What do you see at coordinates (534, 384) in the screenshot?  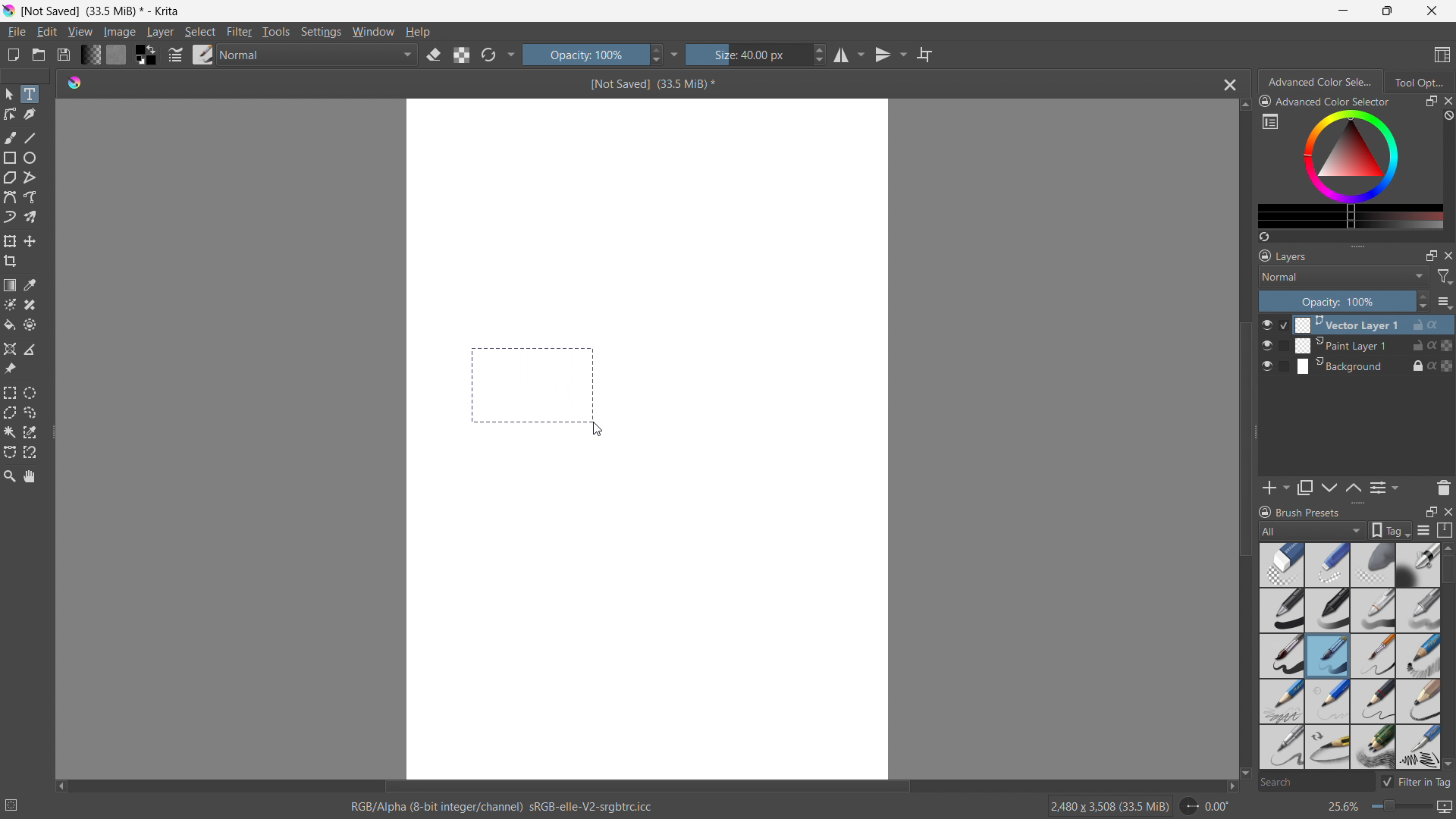 I see `making a selection to input text` at bounding box center [534, 384].